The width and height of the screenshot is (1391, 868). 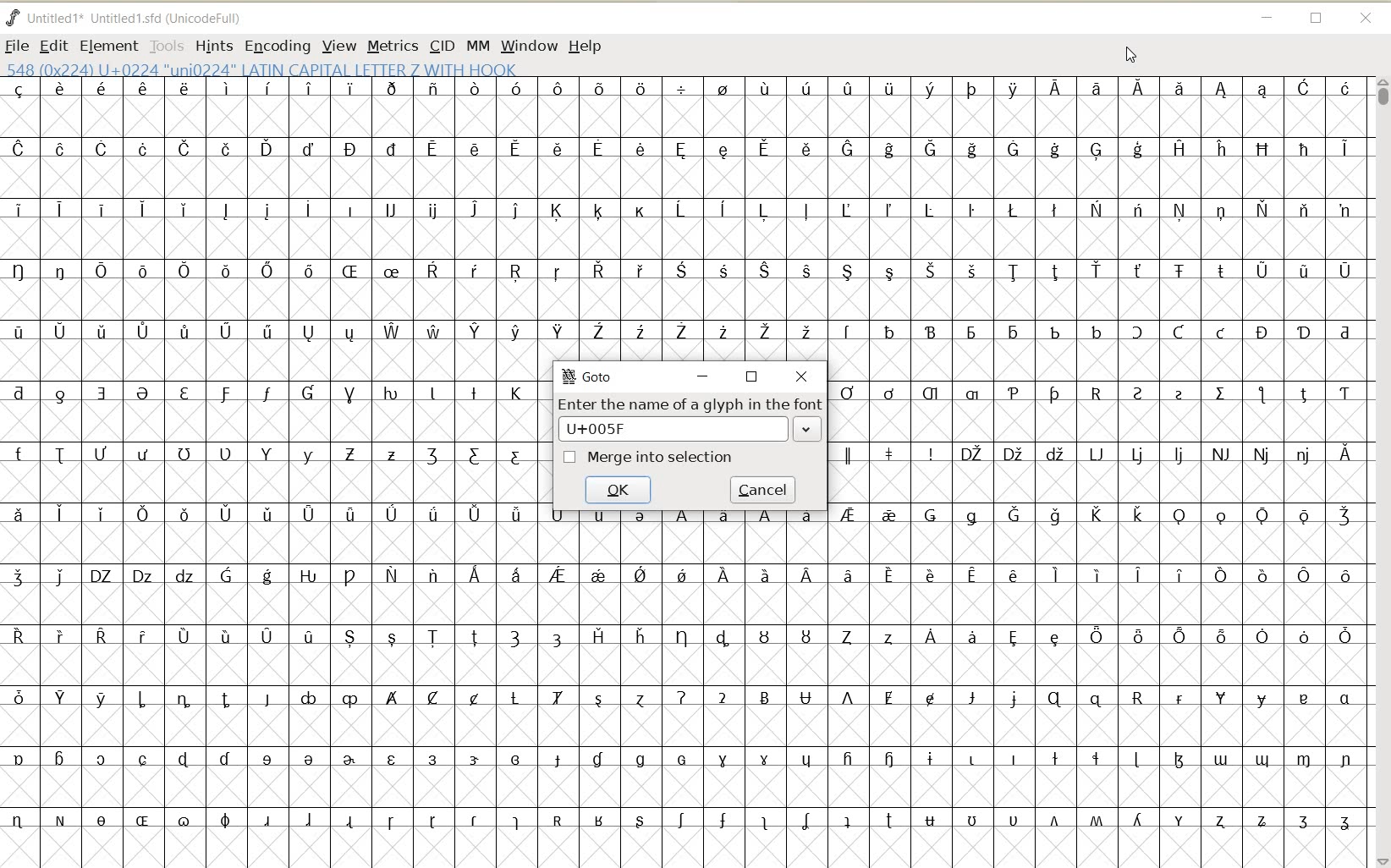 I want to click on MINIMIZE, so click(x=1266, y=15).